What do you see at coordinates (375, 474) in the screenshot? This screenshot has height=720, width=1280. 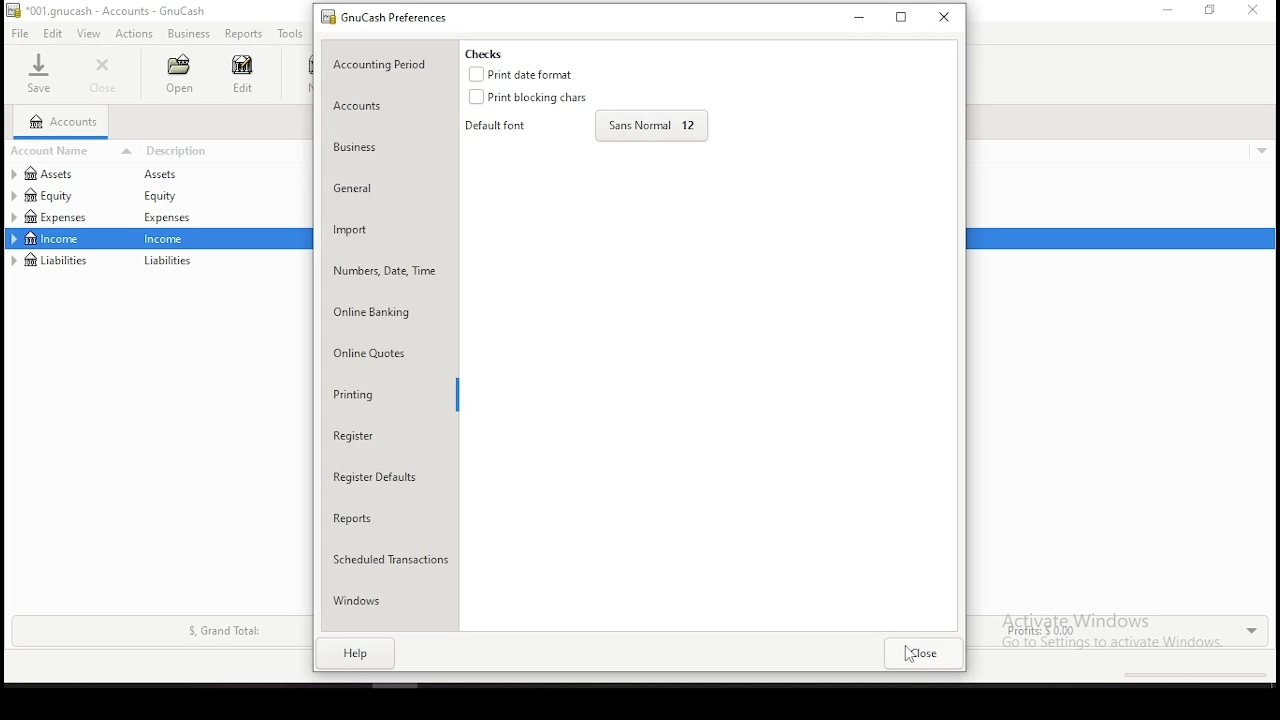 I see `register defaults` at bounding box center [375, 474].